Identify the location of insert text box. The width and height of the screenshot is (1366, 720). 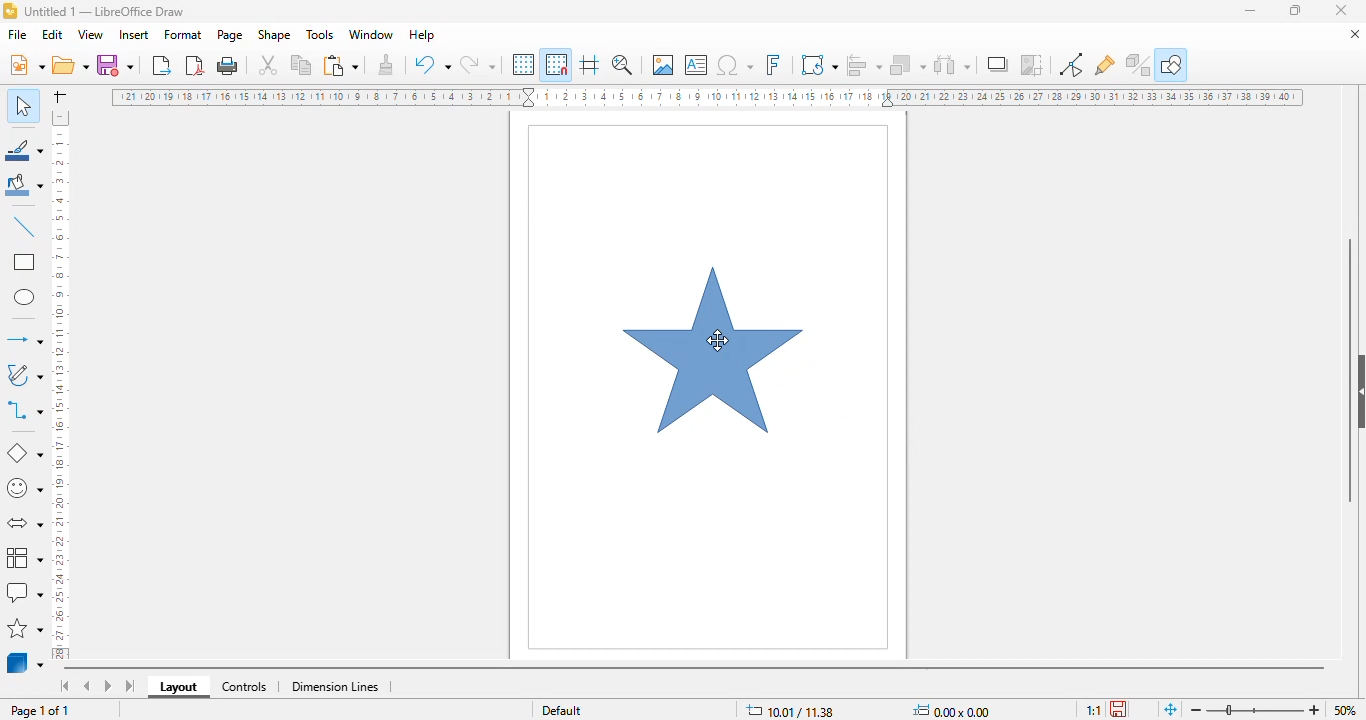
(696, 65).